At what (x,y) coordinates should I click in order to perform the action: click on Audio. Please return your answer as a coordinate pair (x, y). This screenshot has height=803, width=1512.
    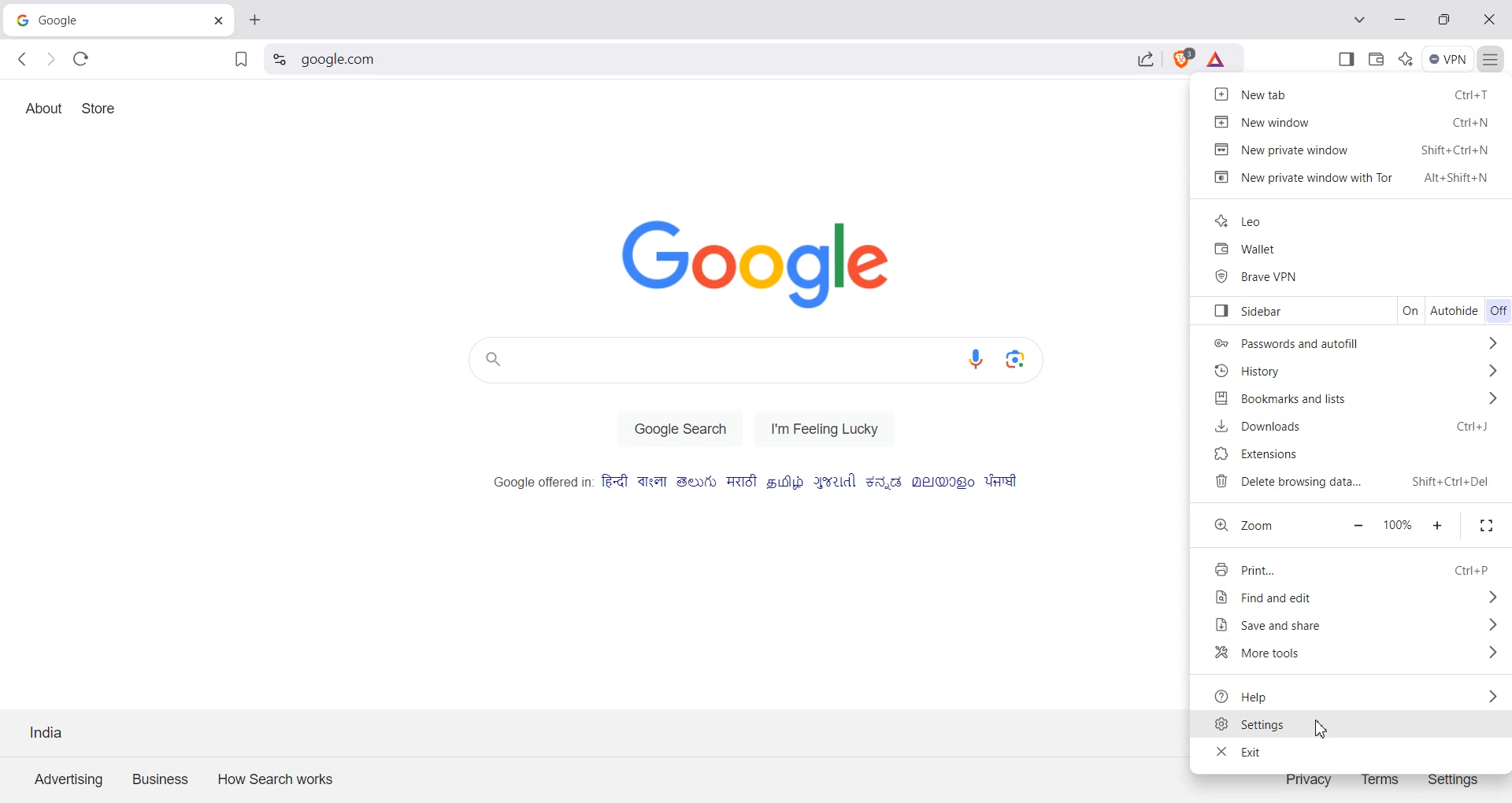
    Looking at the image, I should click on (980, 360).